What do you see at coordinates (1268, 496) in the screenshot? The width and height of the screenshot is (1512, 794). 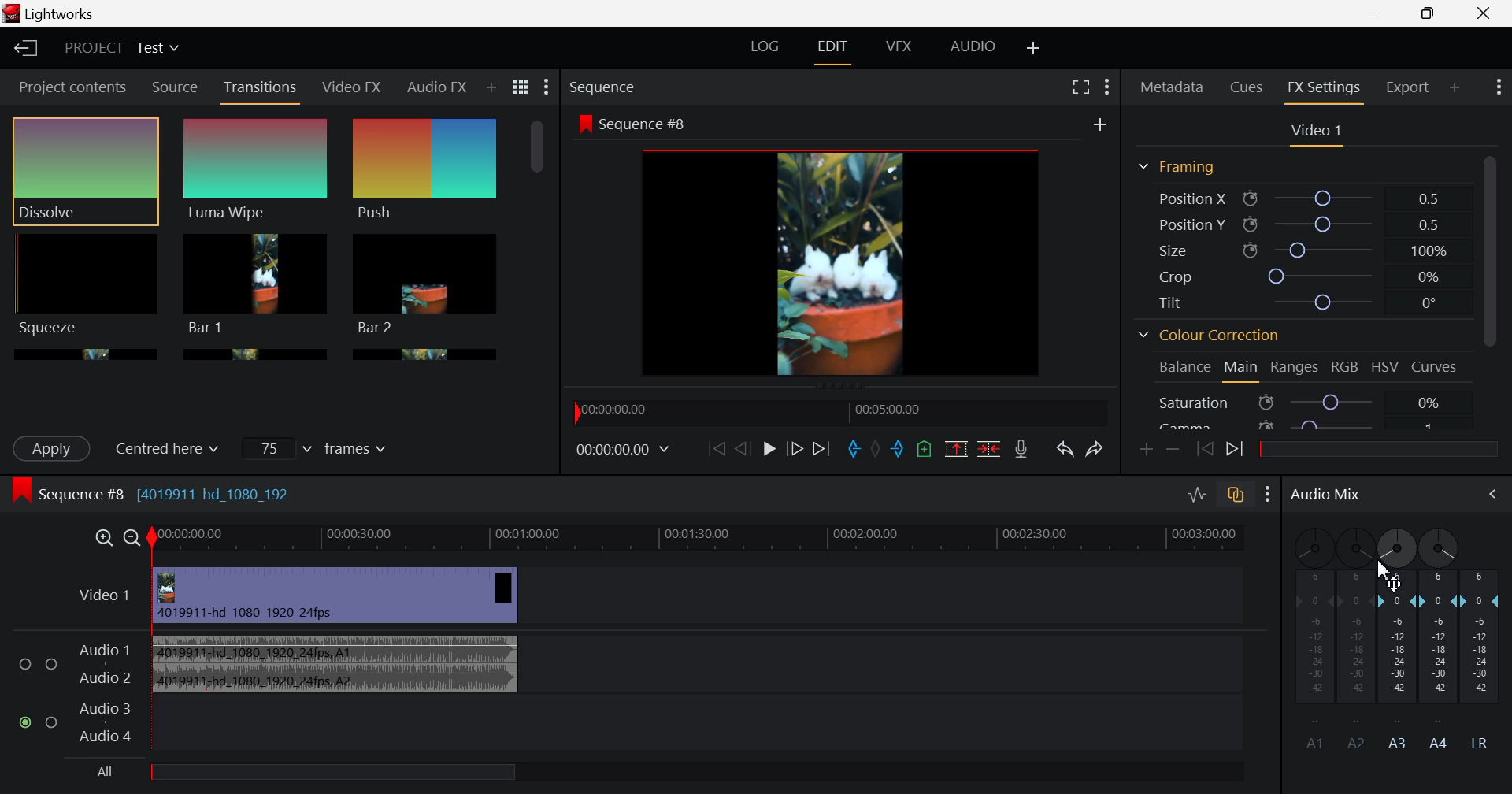 I see `Show Settings` at bounding box center [1268, 496].